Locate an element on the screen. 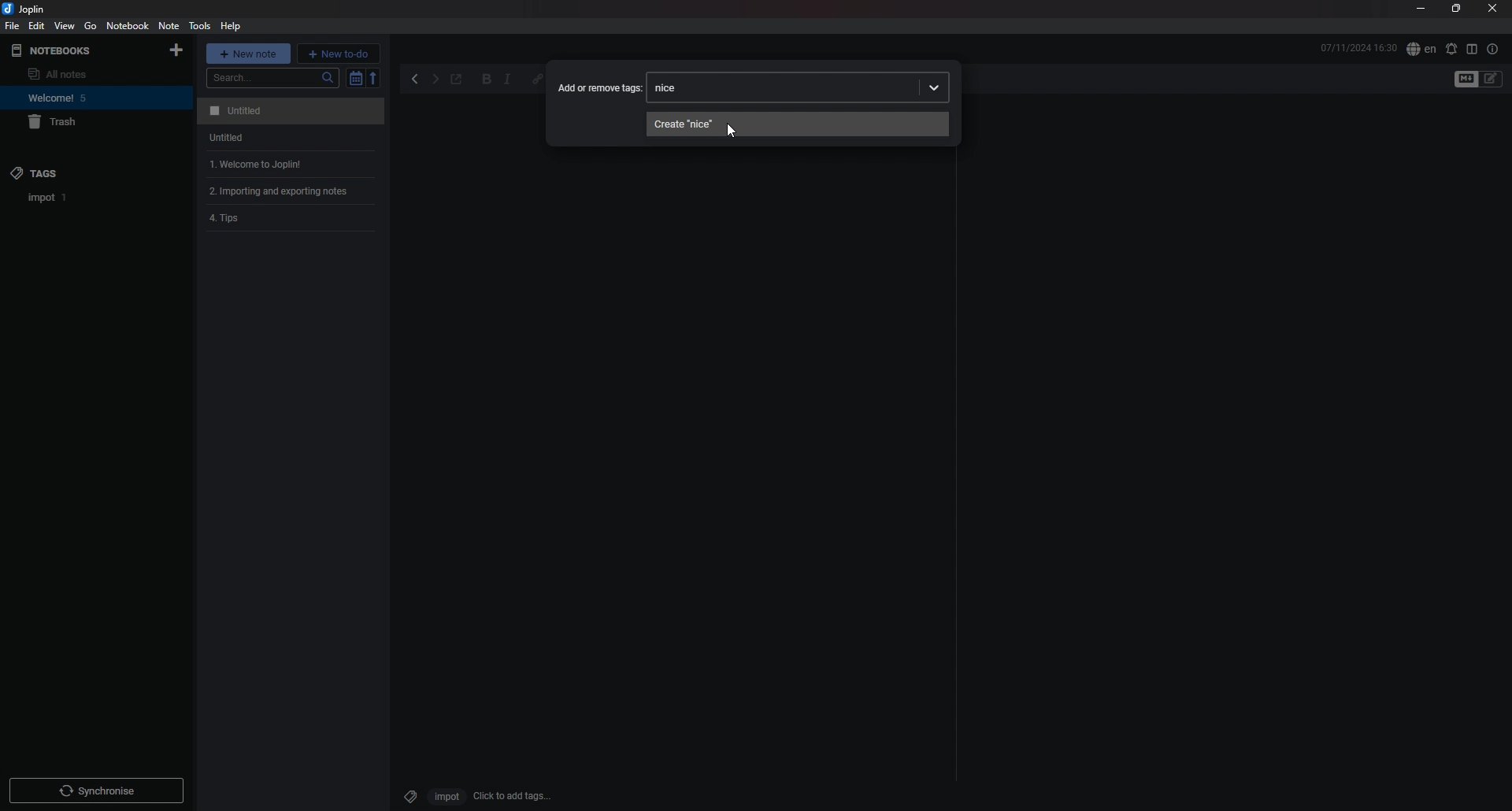 Image resolution: width=1512 pixels, height=811 pixels. close is located at coordinates (1492, 9).